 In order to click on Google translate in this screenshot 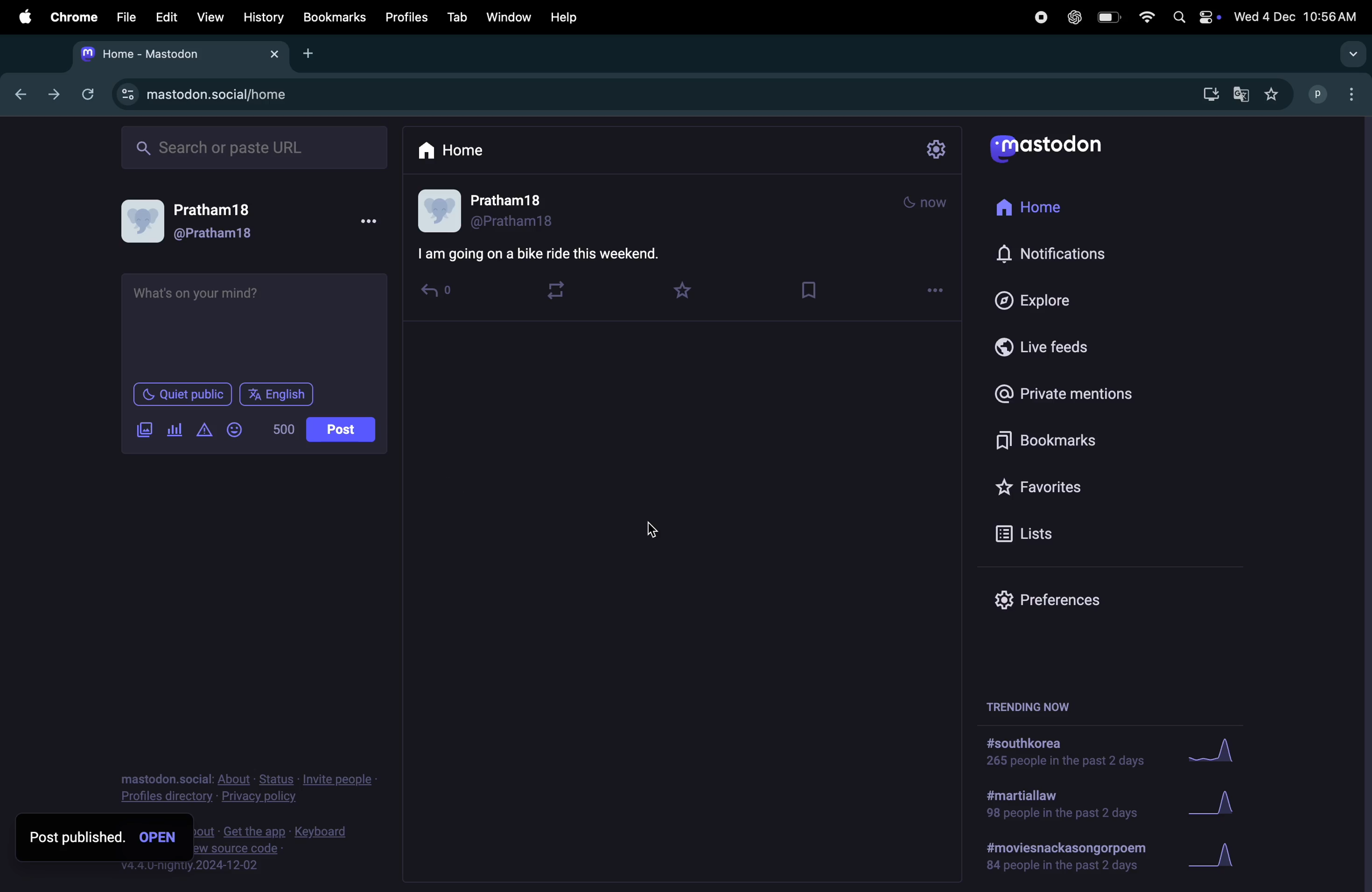, I will do `click(1242, 93)`.